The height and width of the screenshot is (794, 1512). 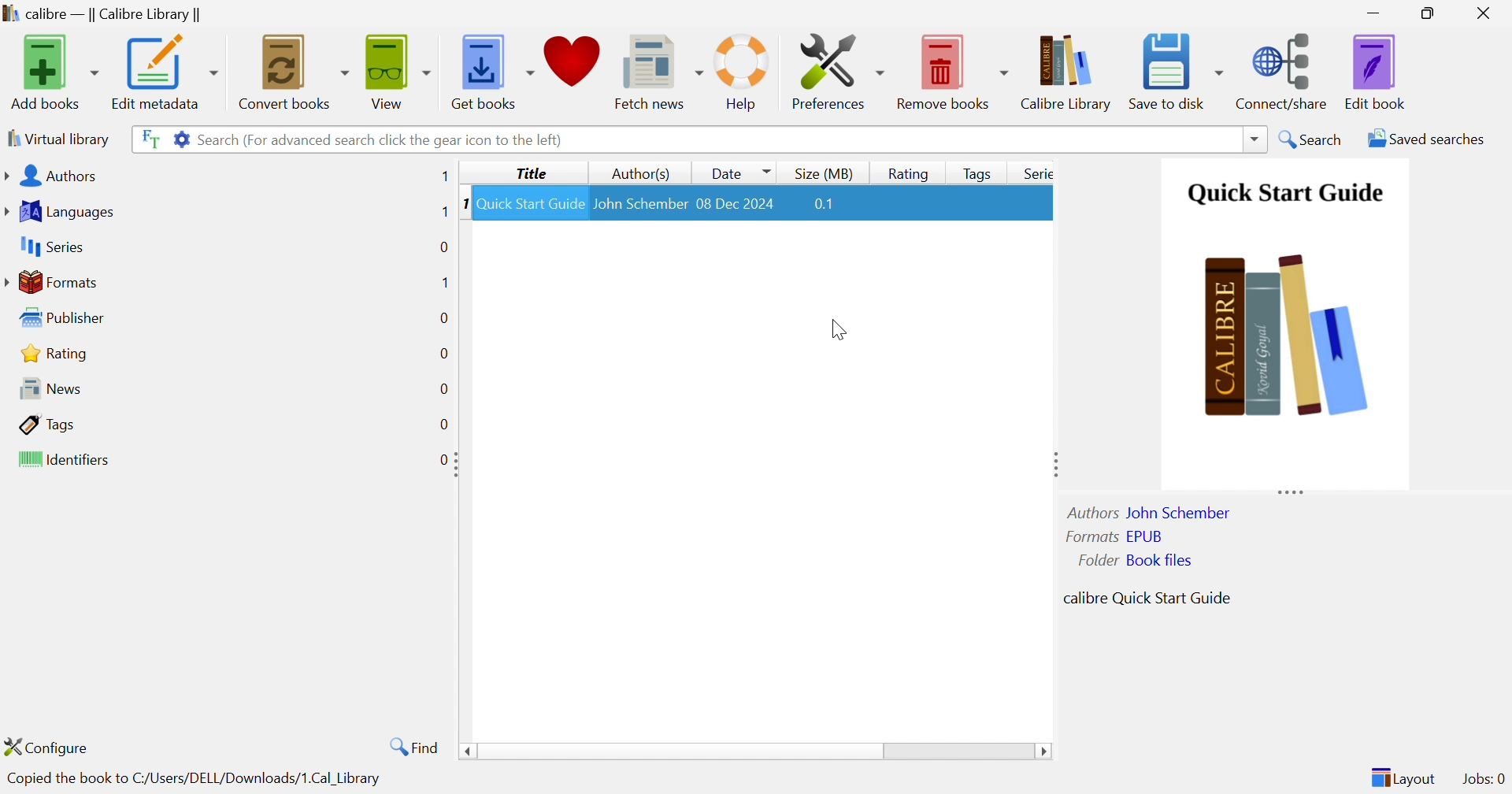 What do you see at coordinates (1377, 71) in the screenshot?
I see `Edit Book` at bounding box center [1377, 71].